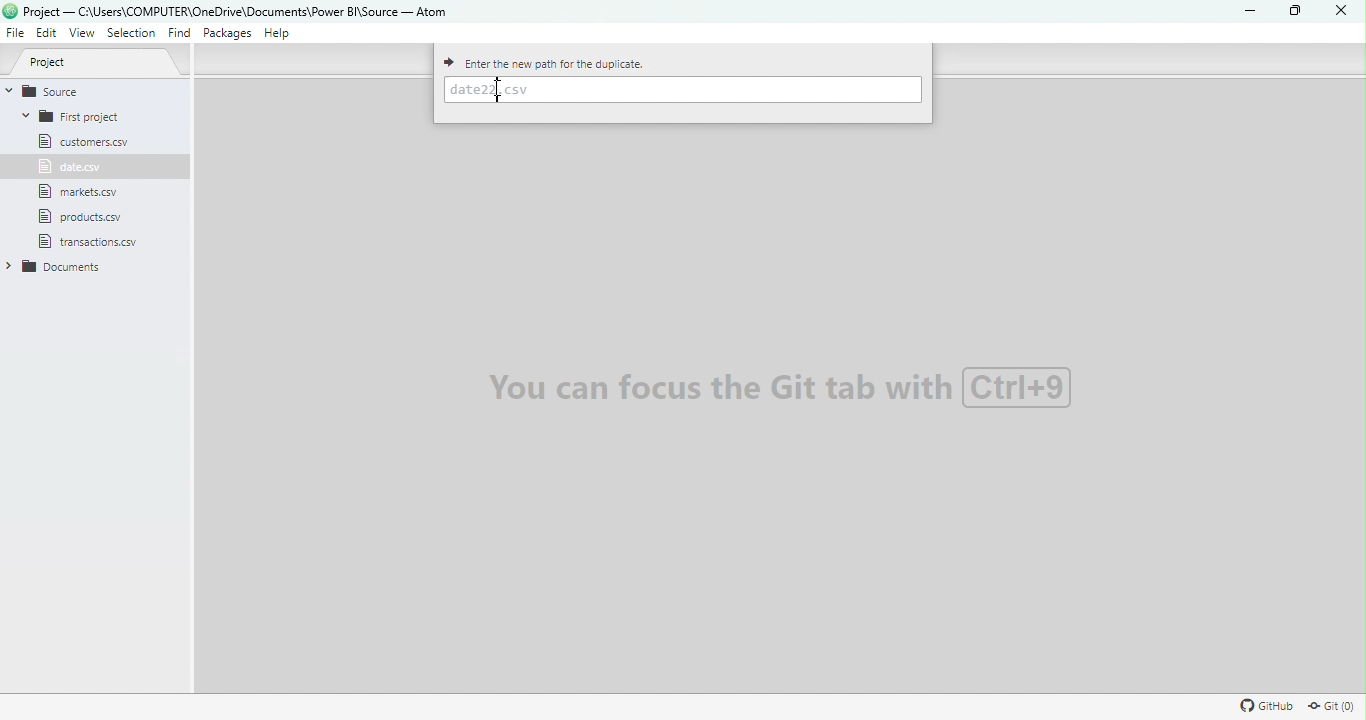 This screenshot has width=1366, height=720. What do you see at coordinates (178, 34) in the screenshot?
I see `Find` at bounding box center [178, 34].